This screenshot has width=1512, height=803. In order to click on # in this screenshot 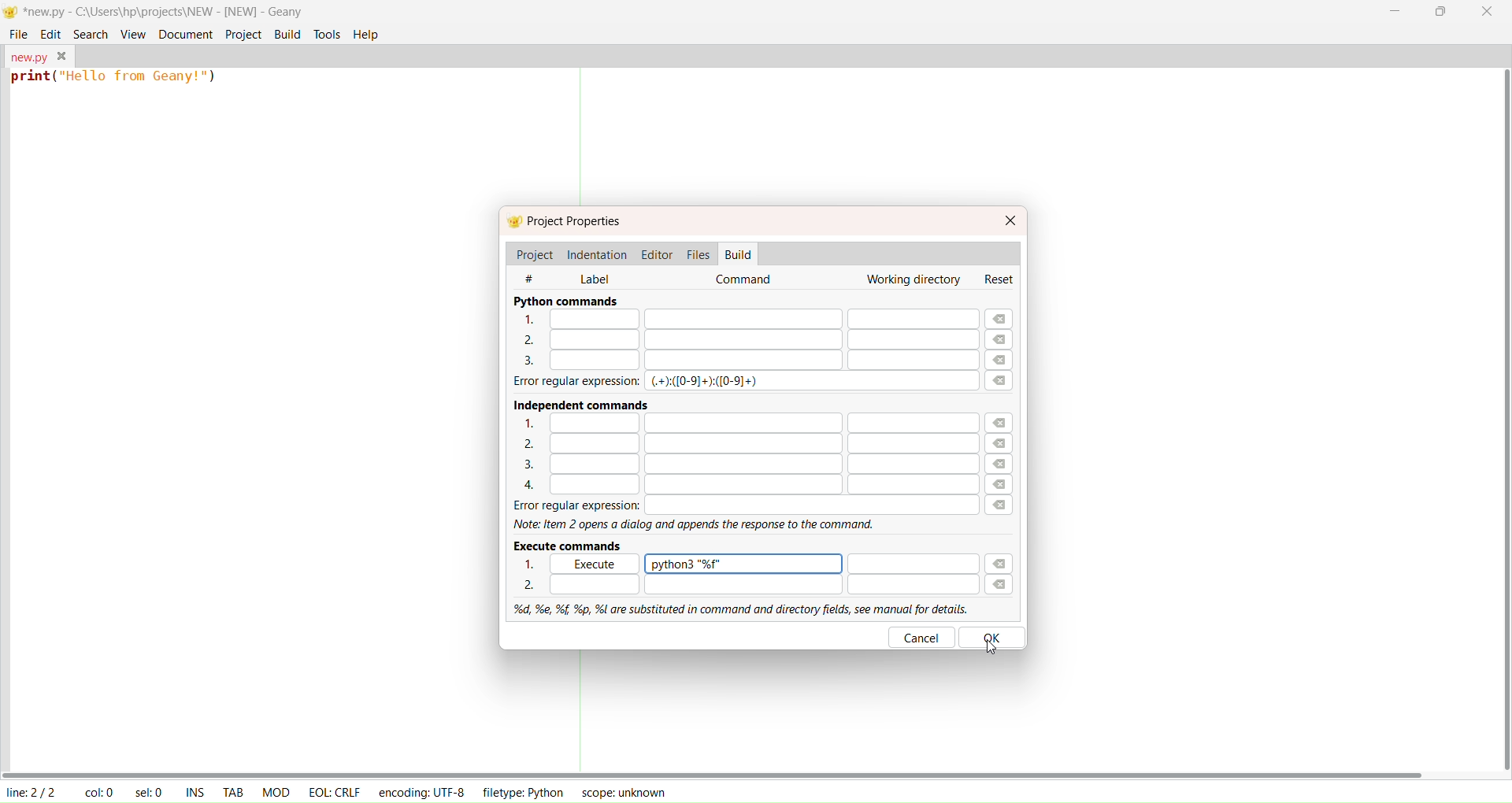, I will do `click(539, 277)`.